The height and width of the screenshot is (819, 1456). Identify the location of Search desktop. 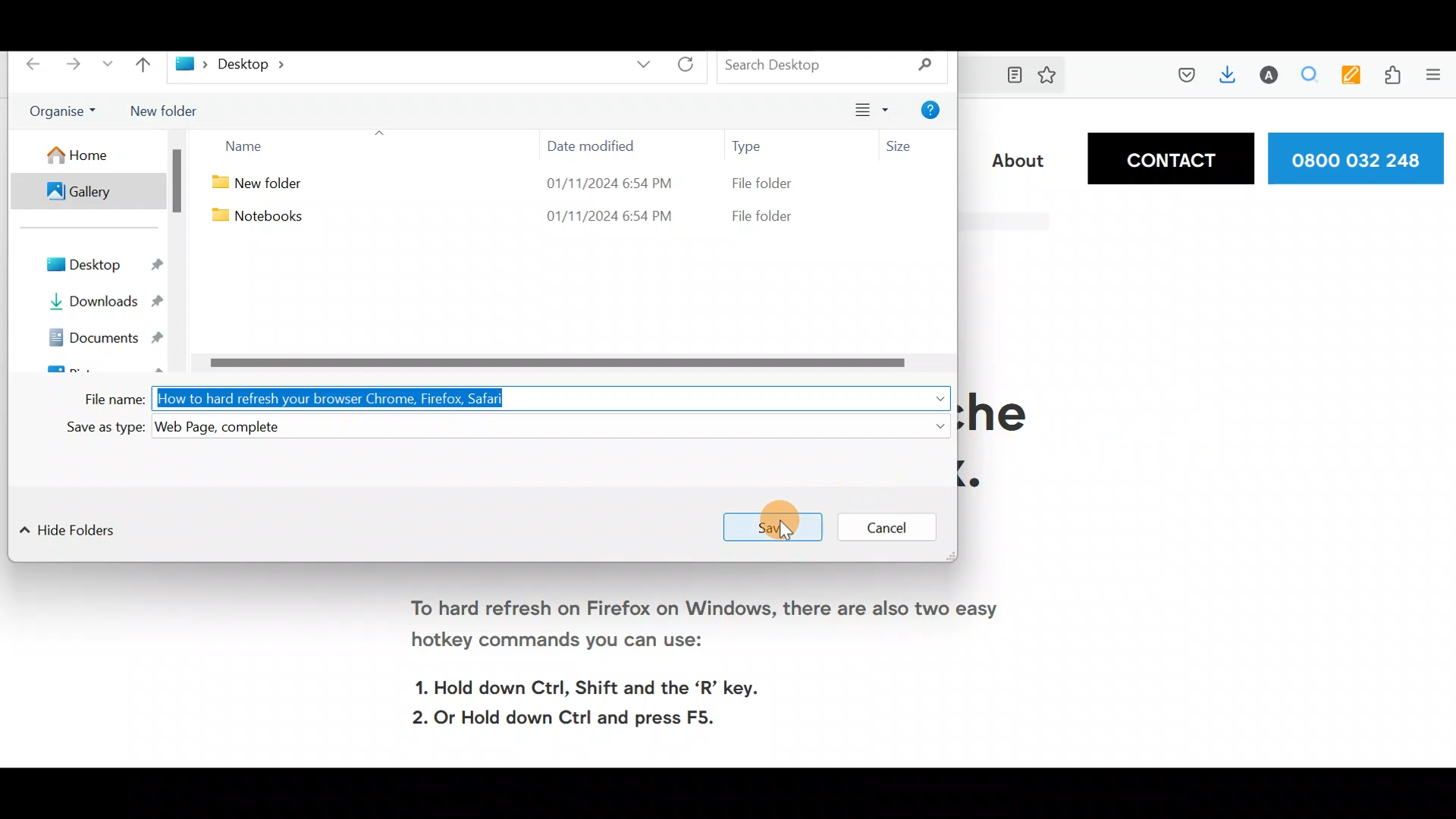
(839, 65).